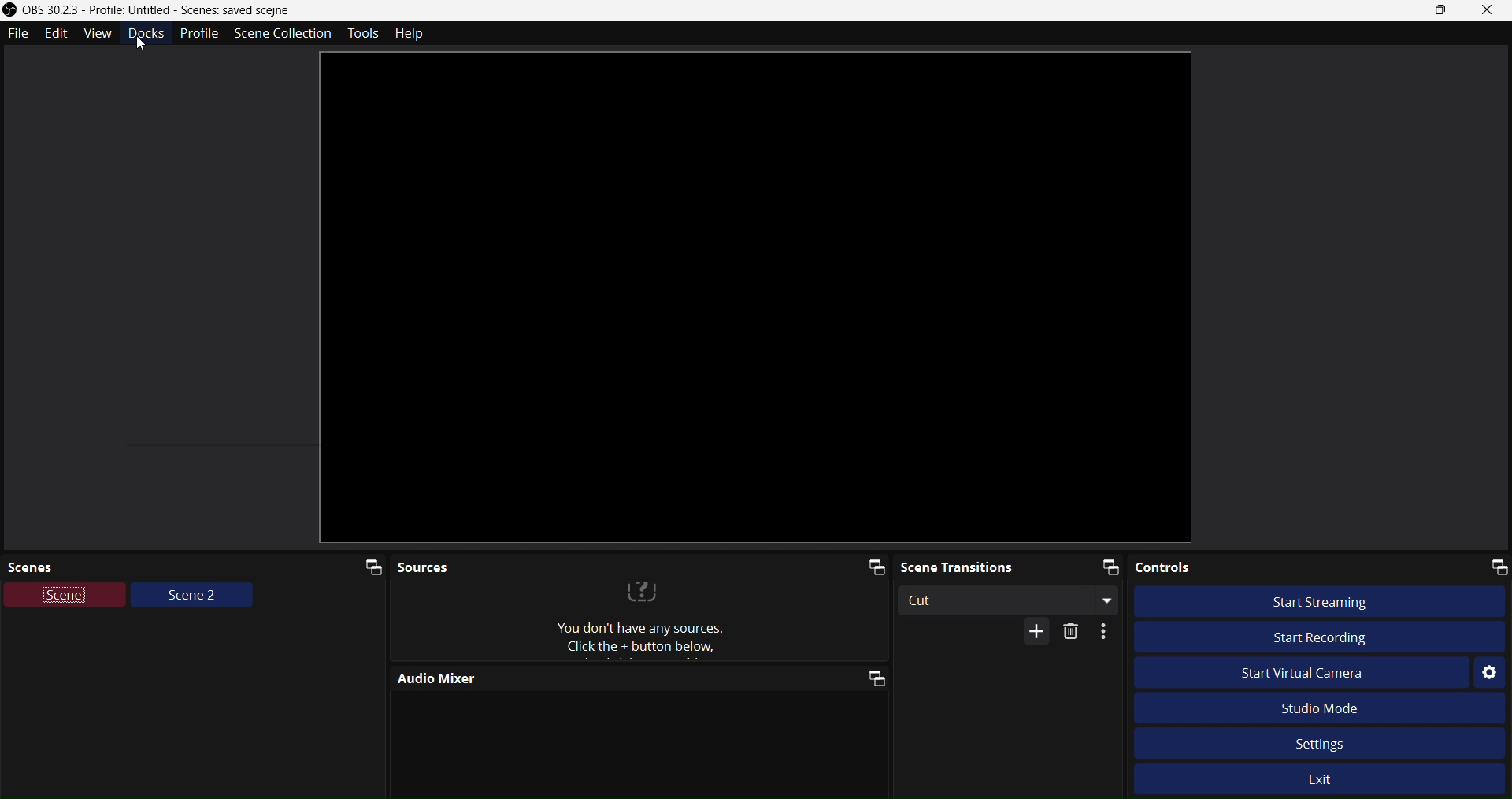  Describe the element at coordinates (198, 33) in the screenshot. I see `Profile` at that location.